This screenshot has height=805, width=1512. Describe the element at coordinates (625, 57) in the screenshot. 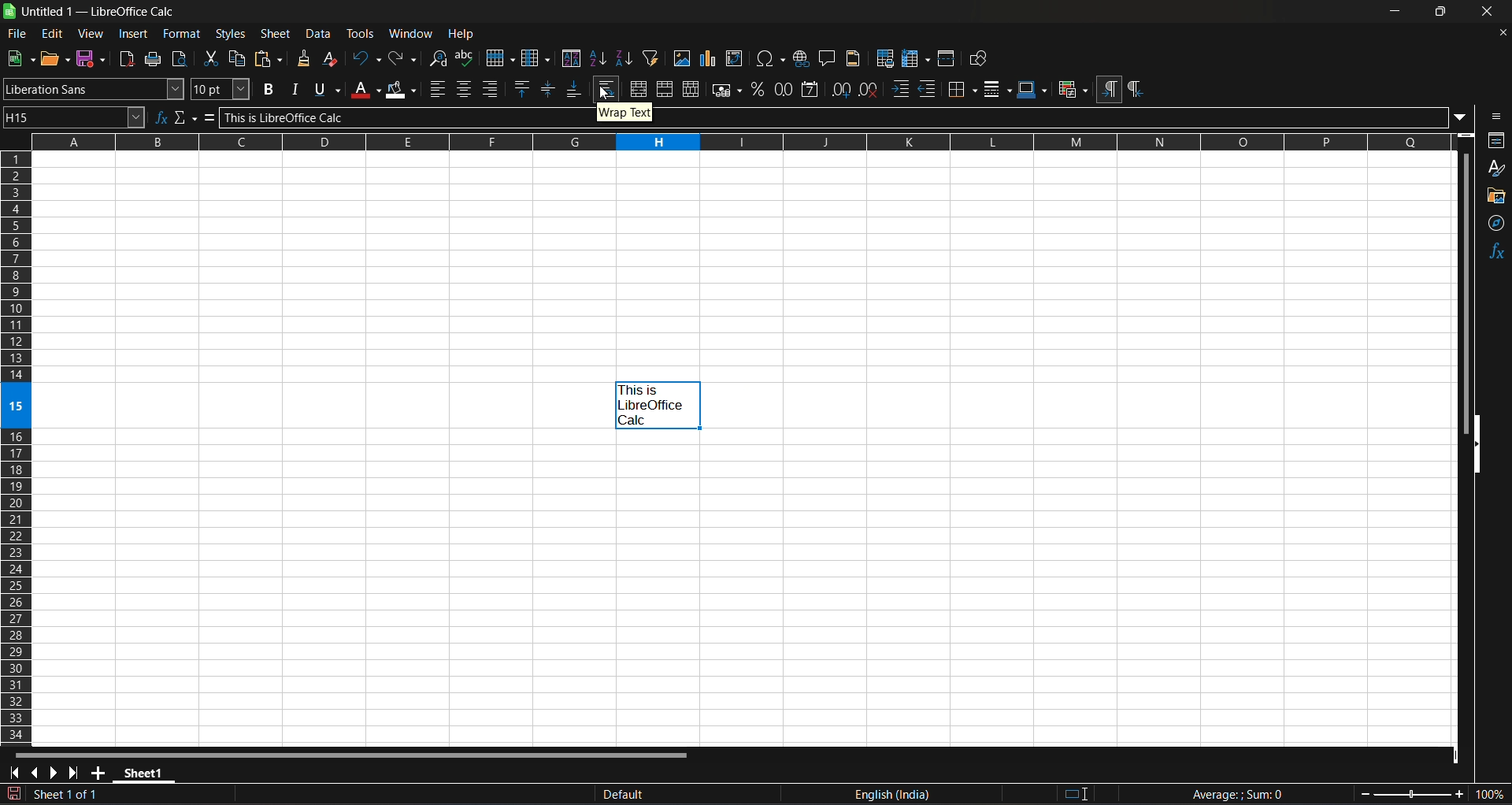

I see `sort descending` at that location.